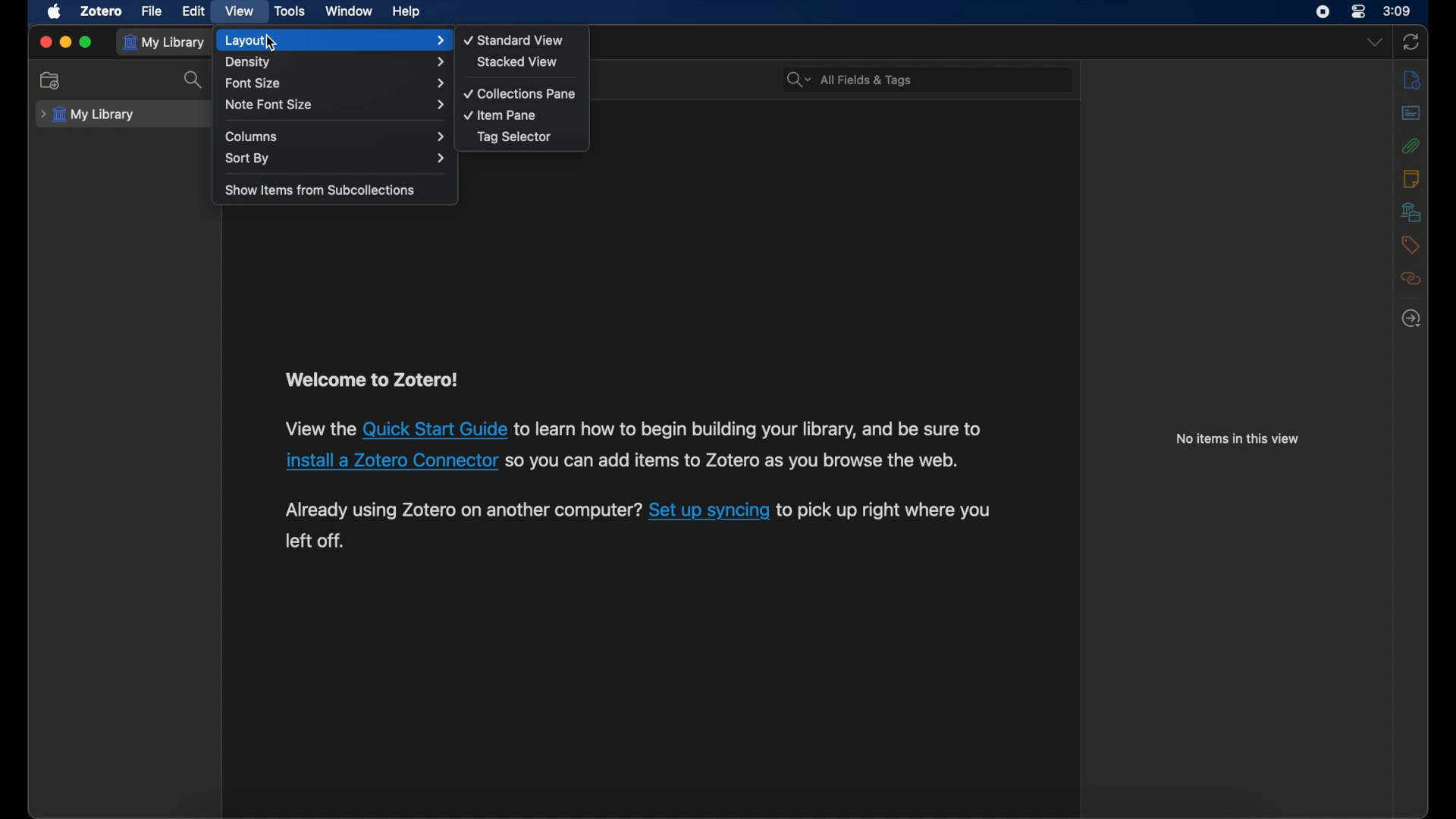 The image size is (1456, 819). What do you see at coordinates (1411, 146) in the screenshot?
I see `attachments` at bounding box center [1411, 146].